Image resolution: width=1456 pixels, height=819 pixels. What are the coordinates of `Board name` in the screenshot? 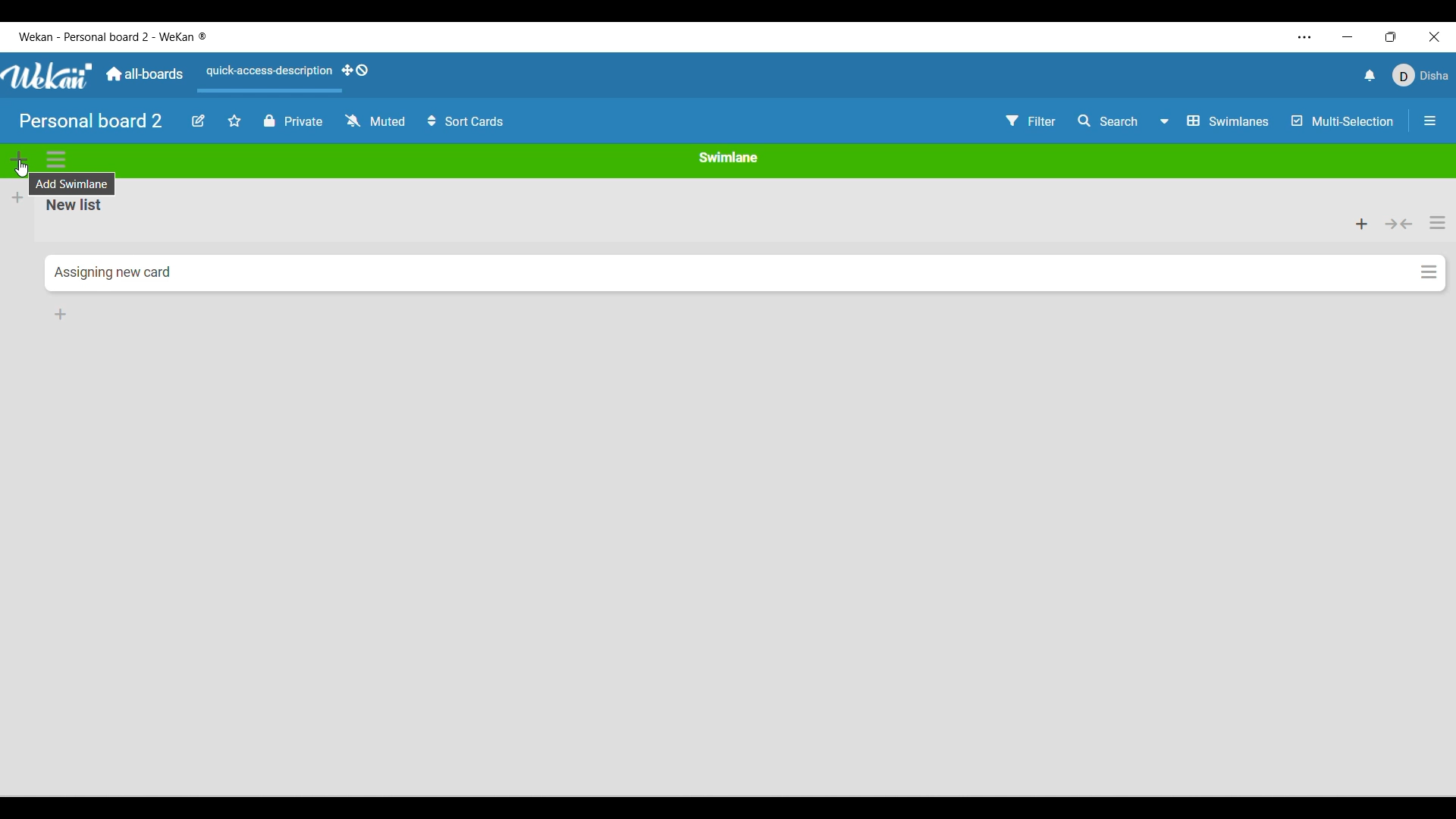 It's located at (91, 121).